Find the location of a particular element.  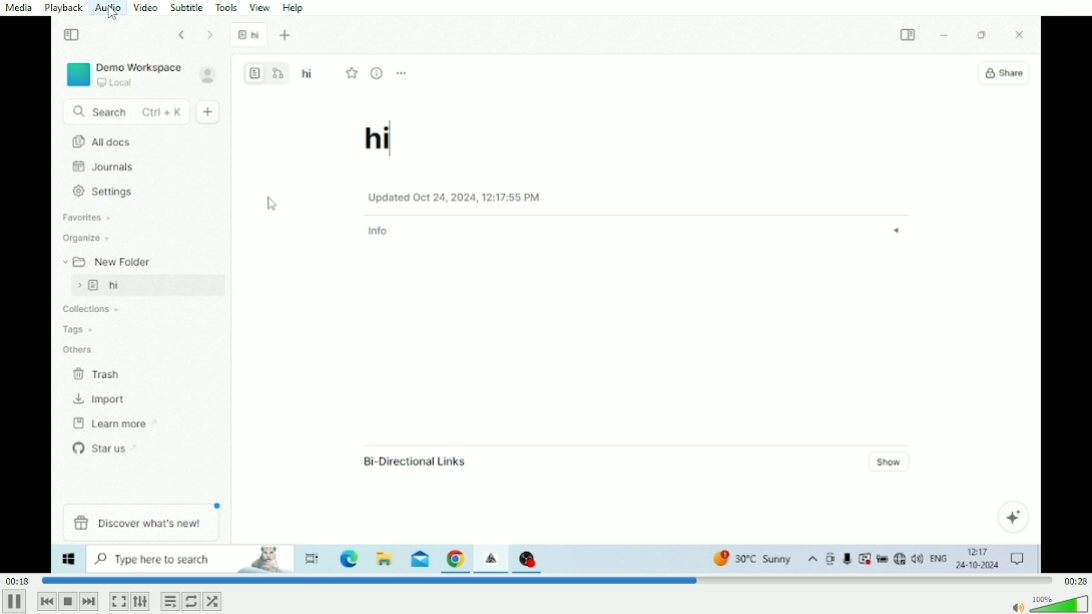

Video progress is located at coordinates (547, 580).